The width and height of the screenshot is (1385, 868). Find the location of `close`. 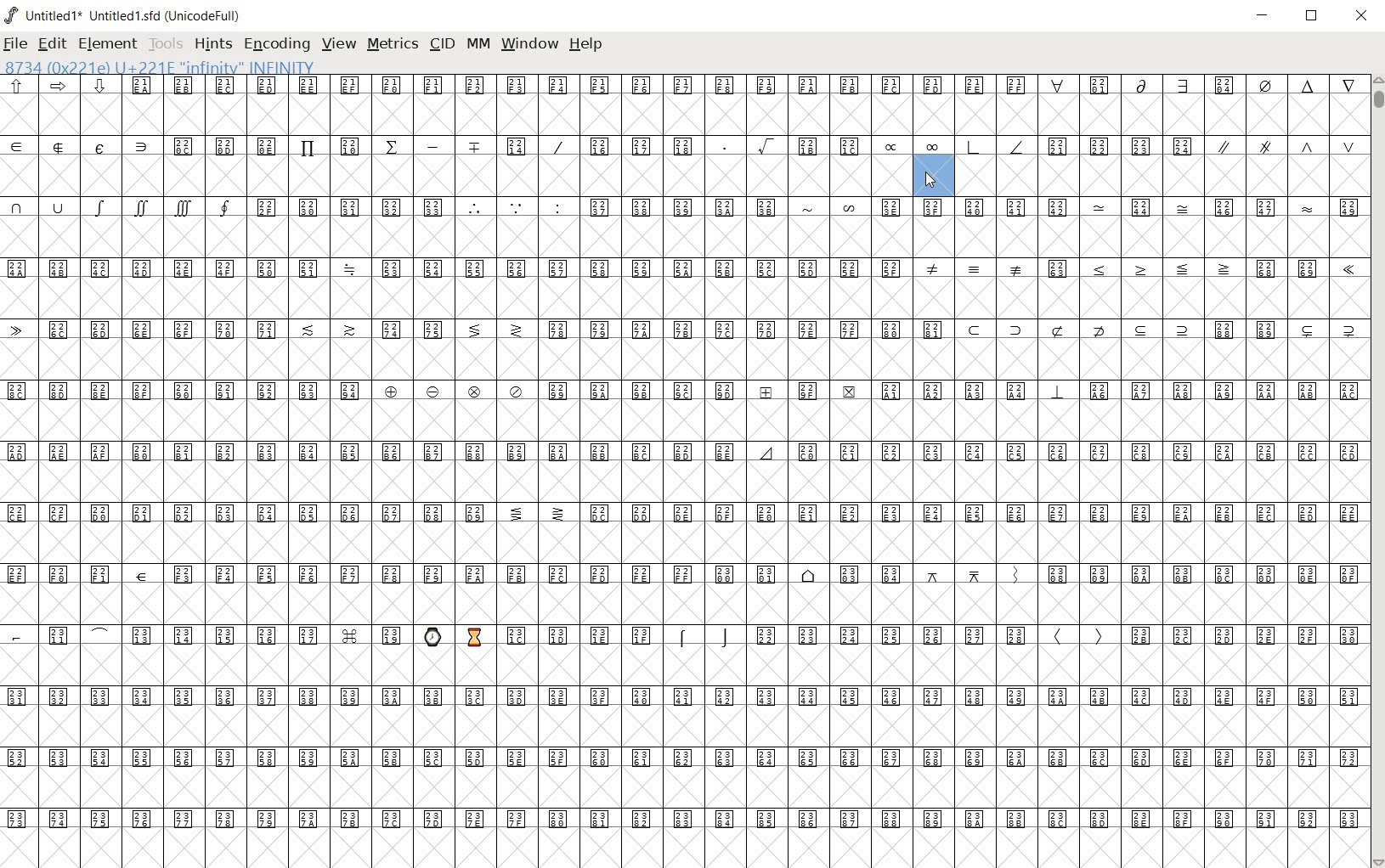

close is located at coordinates (1363, 16).